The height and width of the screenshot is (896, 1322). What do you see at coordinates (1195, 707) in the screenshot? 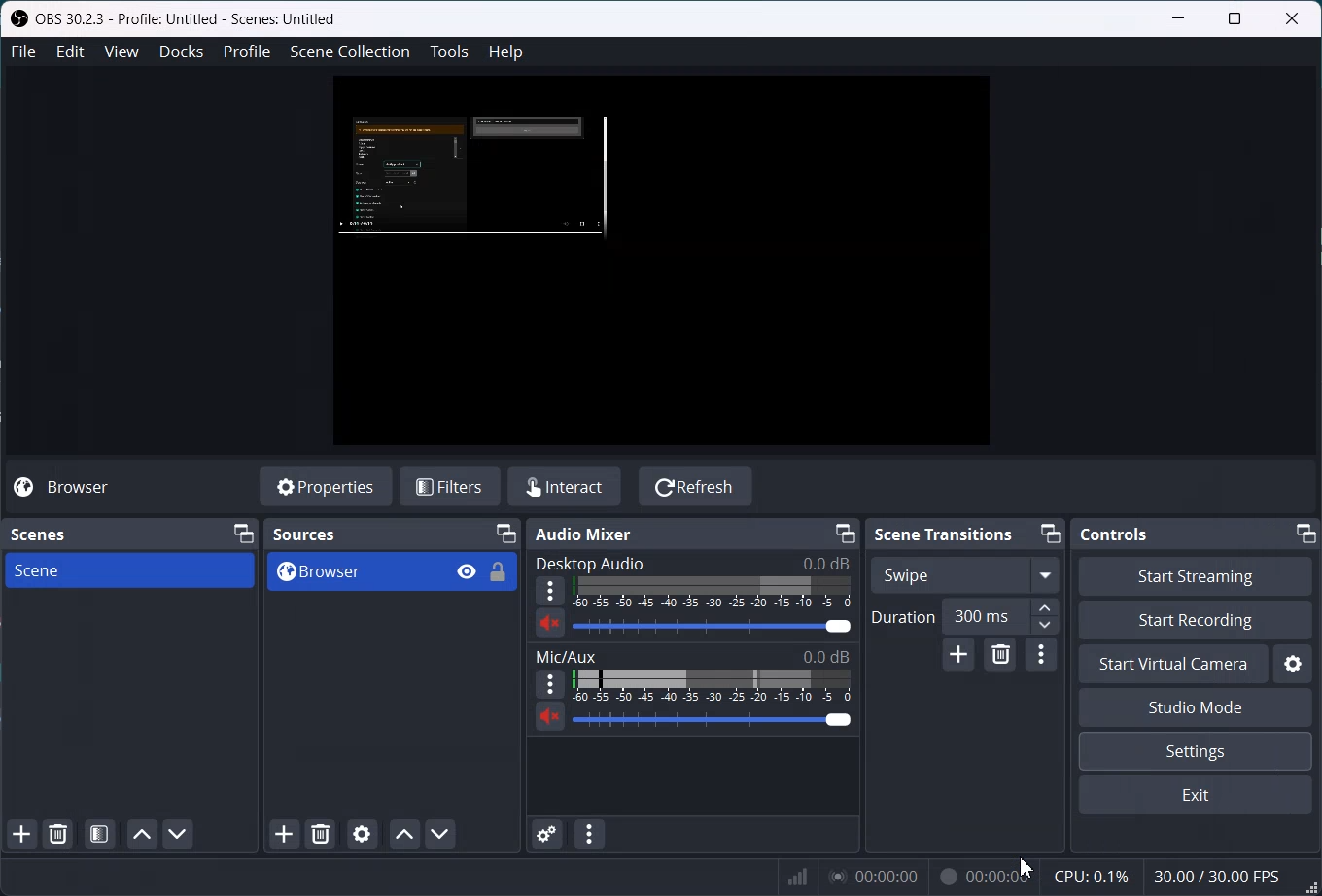
I see `Studio Mode` at bounding box center [1195, 707].